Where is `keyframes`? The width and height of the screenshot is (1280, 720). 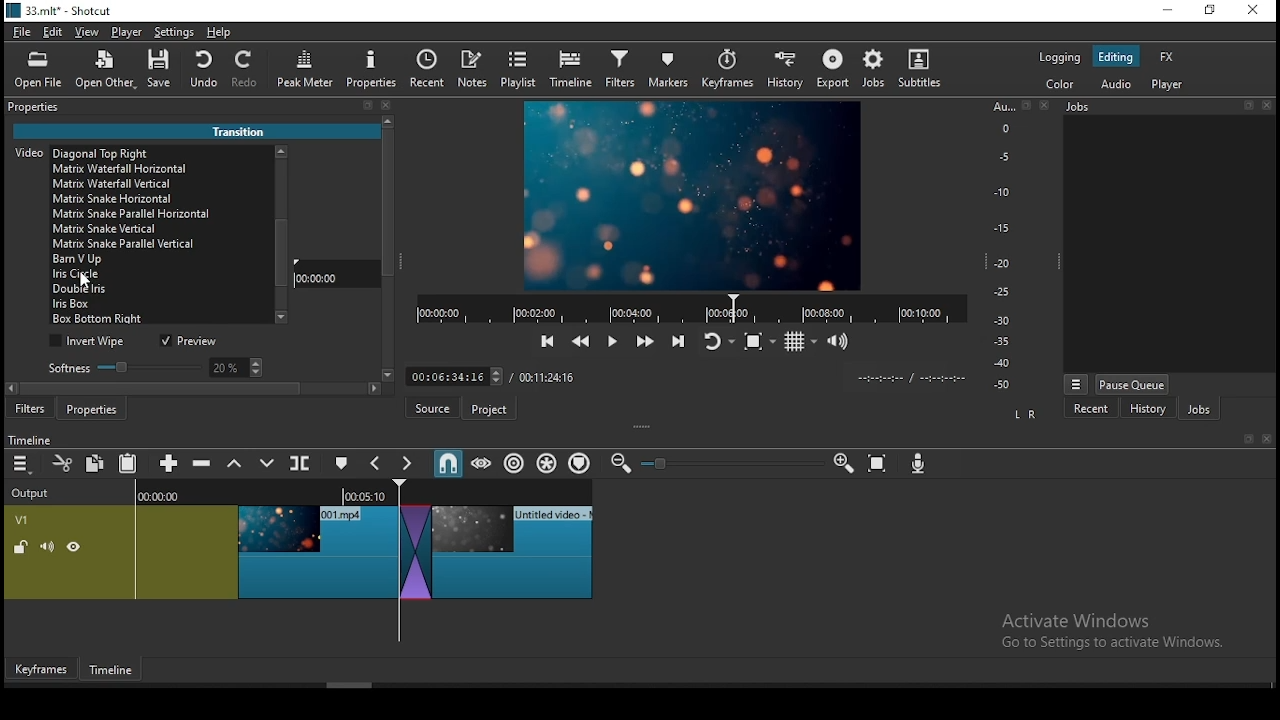 keyframes is located at coordinates (727, 70).